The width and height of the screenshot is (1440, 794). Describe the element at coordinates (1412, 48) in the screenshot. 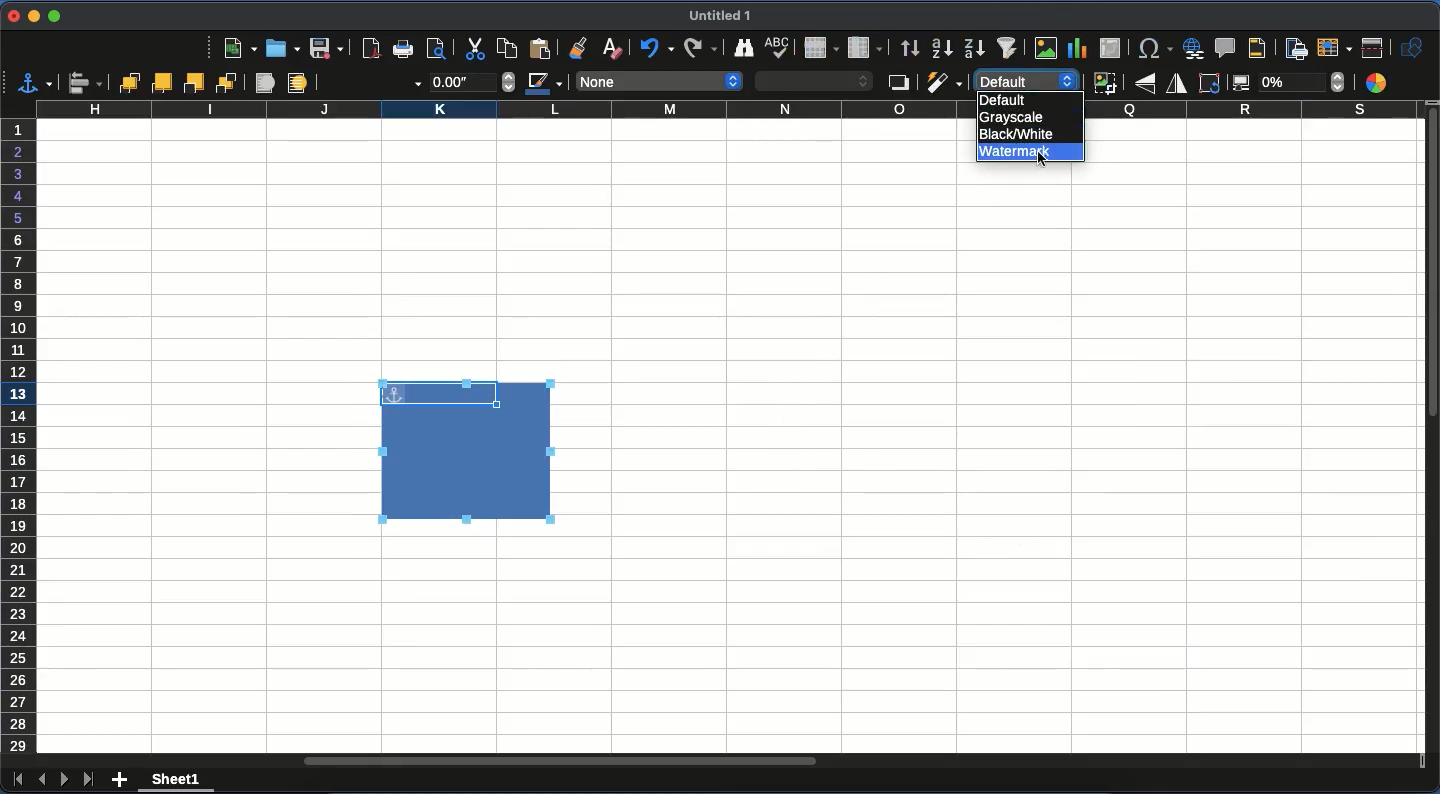

I see `show draw function` at that location.